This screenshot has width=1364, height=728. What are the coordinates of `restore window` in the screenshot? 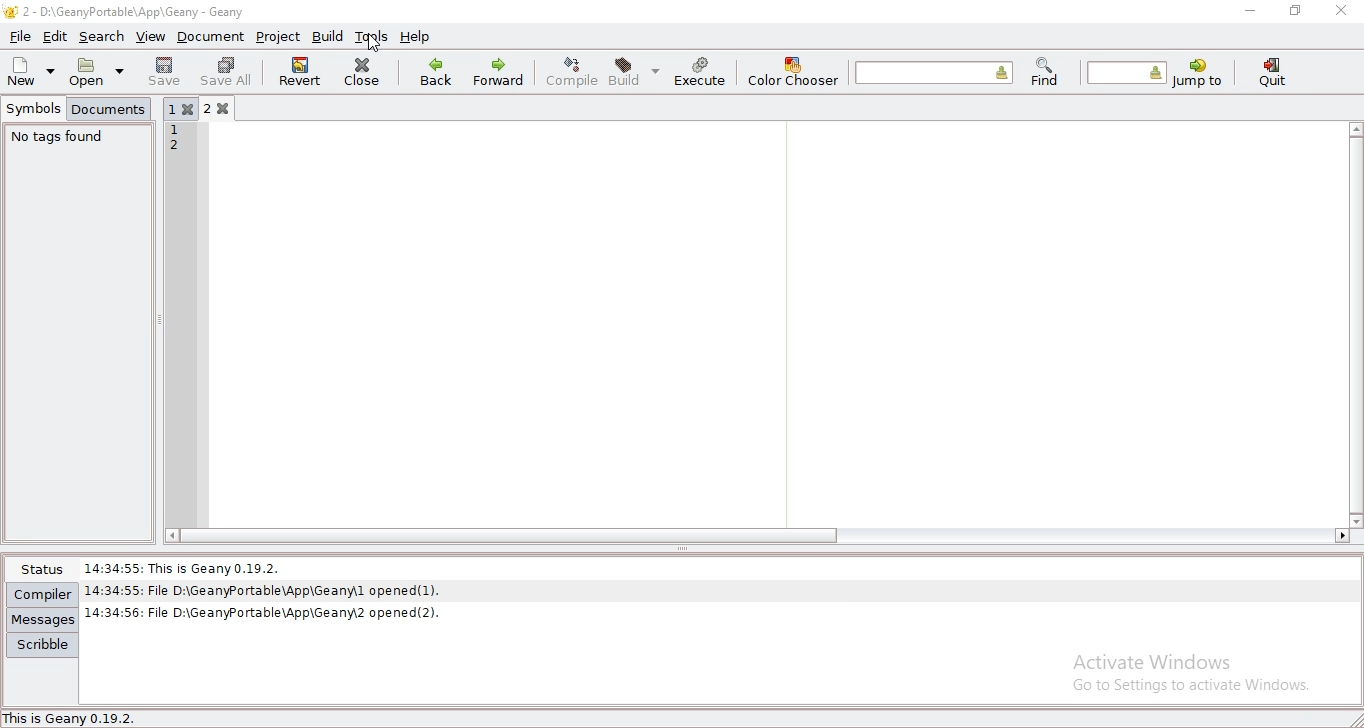 It's located at (1296, 10).